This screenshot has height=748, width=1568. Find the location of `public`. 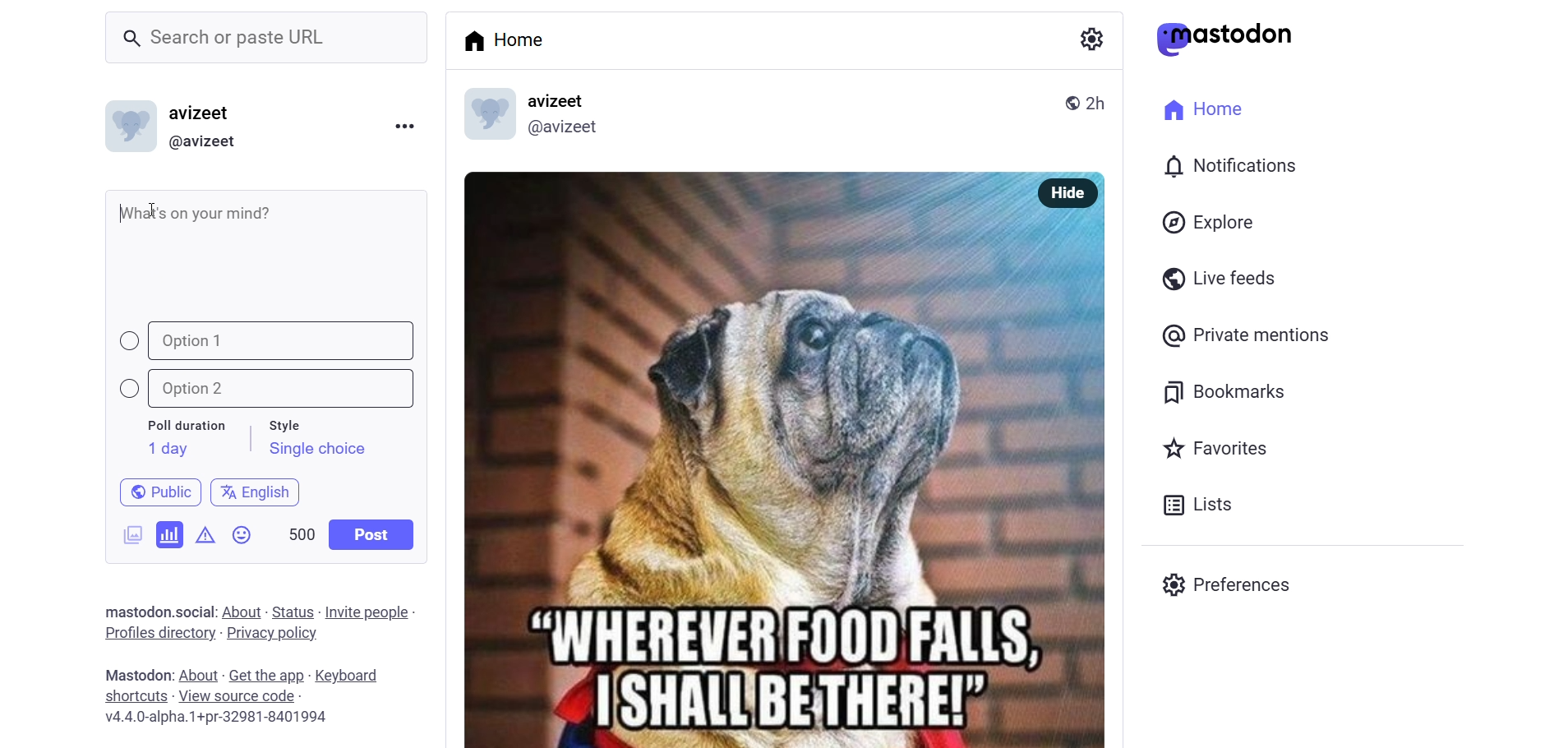

public is located at coordinates (153, 491).